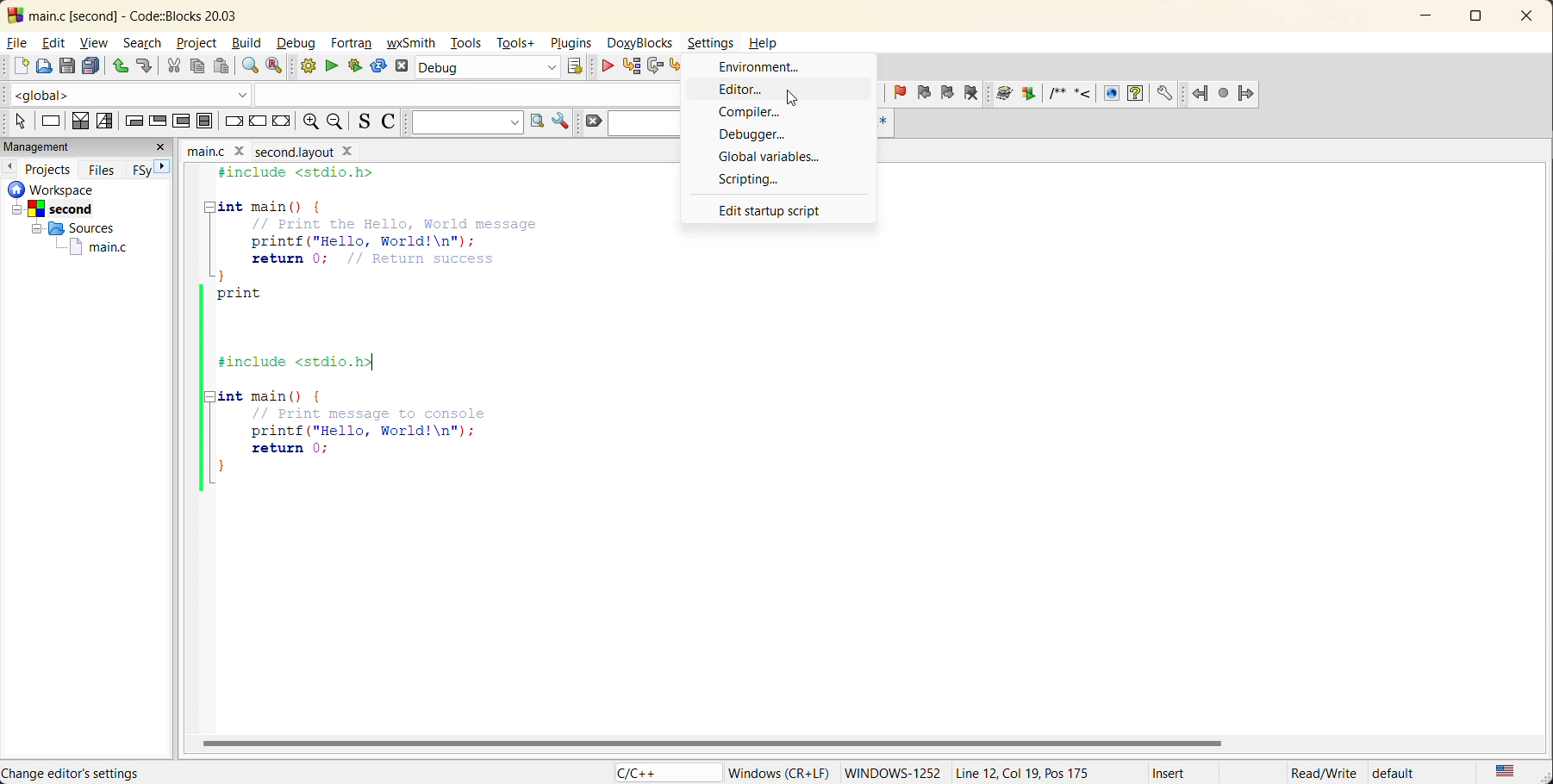 This screenshot has width=1553, height=784. What do you see at coordinates (377, 68) in the screenshot?
I see `rebuild` at bounding box center [377, 68].